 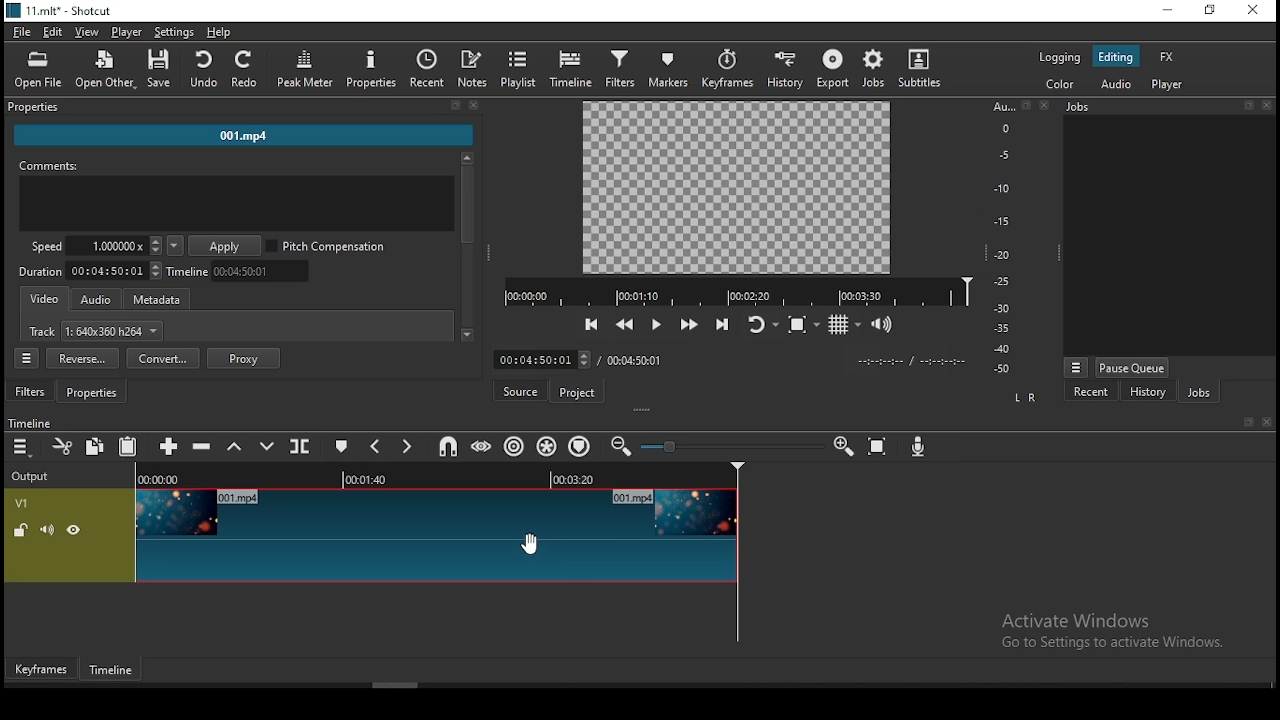 I want to click on TIMELINE, so click(x=442, y=476).